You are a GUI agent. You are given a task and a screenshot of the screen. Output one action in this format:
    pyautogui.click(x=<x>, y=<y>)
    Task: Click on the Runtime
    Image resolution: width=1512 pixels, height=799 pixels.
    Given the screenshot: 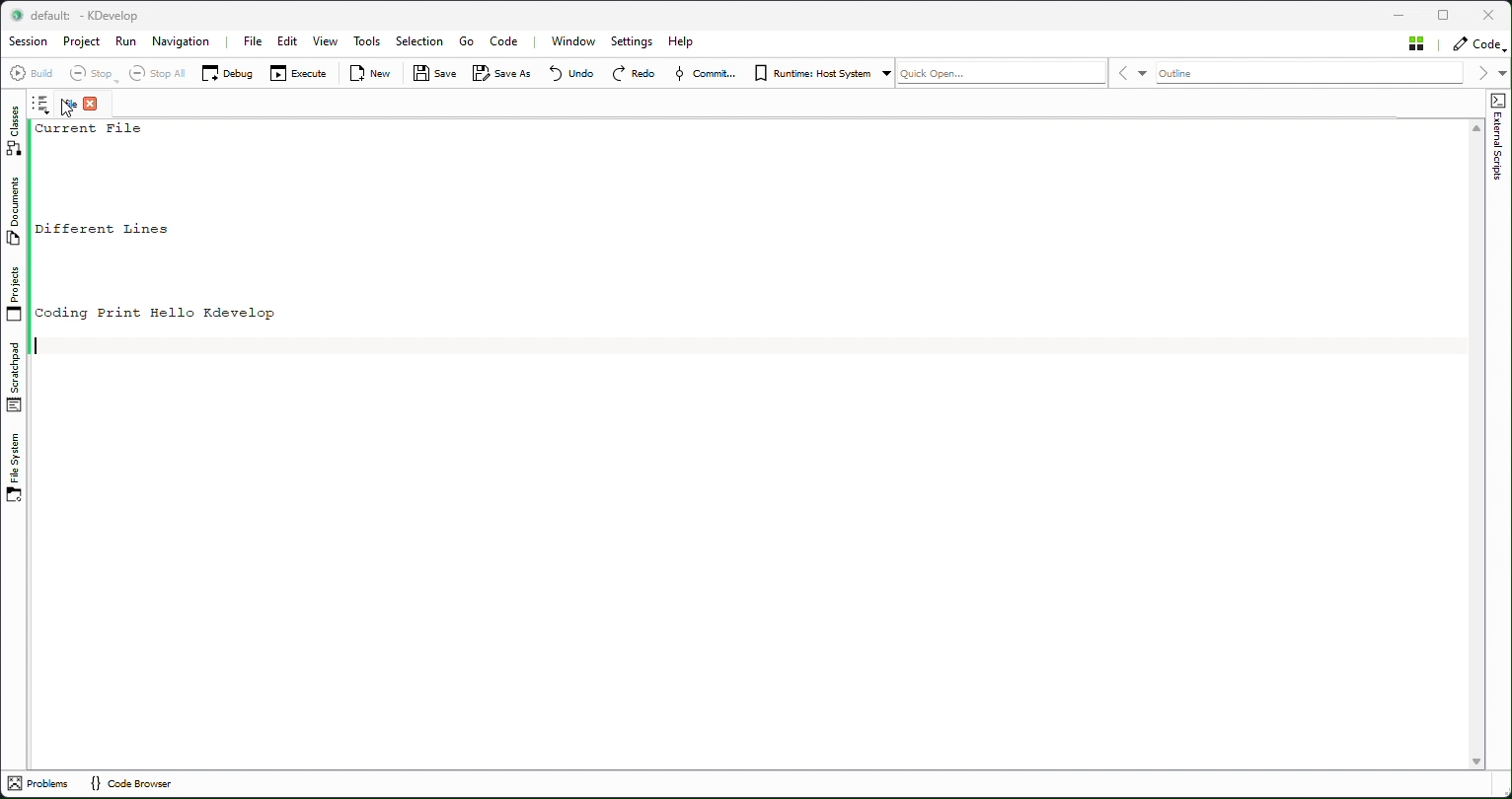 What is the action you would take?
    pyautogui.click(x=821, y=74)
    